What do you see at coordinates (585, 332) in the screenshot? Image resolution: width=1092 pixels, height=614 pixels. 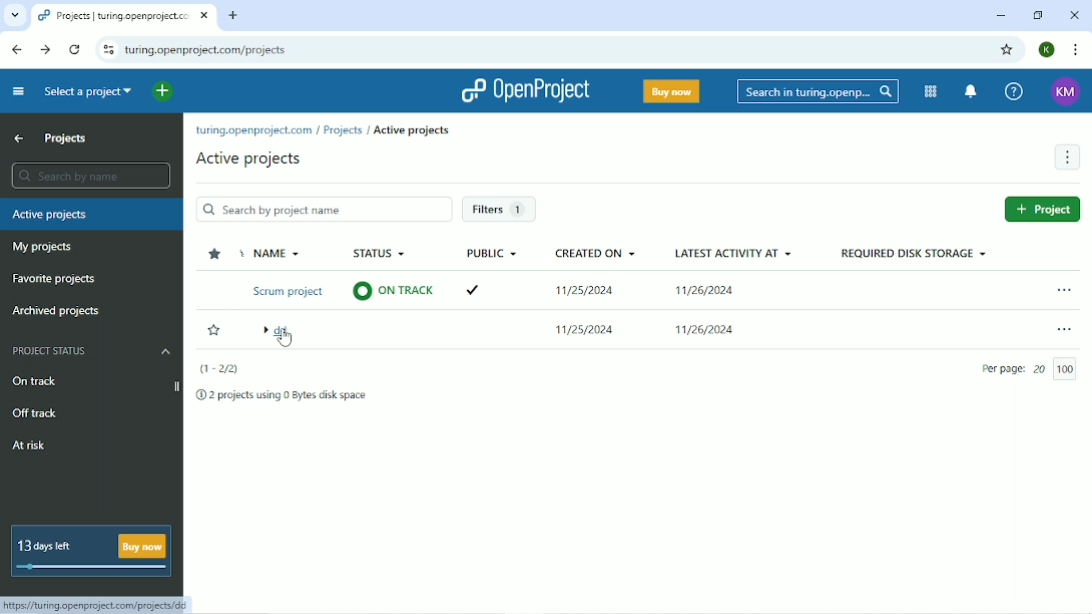 I see `11/25/2024` at bounding box center [585, 332].